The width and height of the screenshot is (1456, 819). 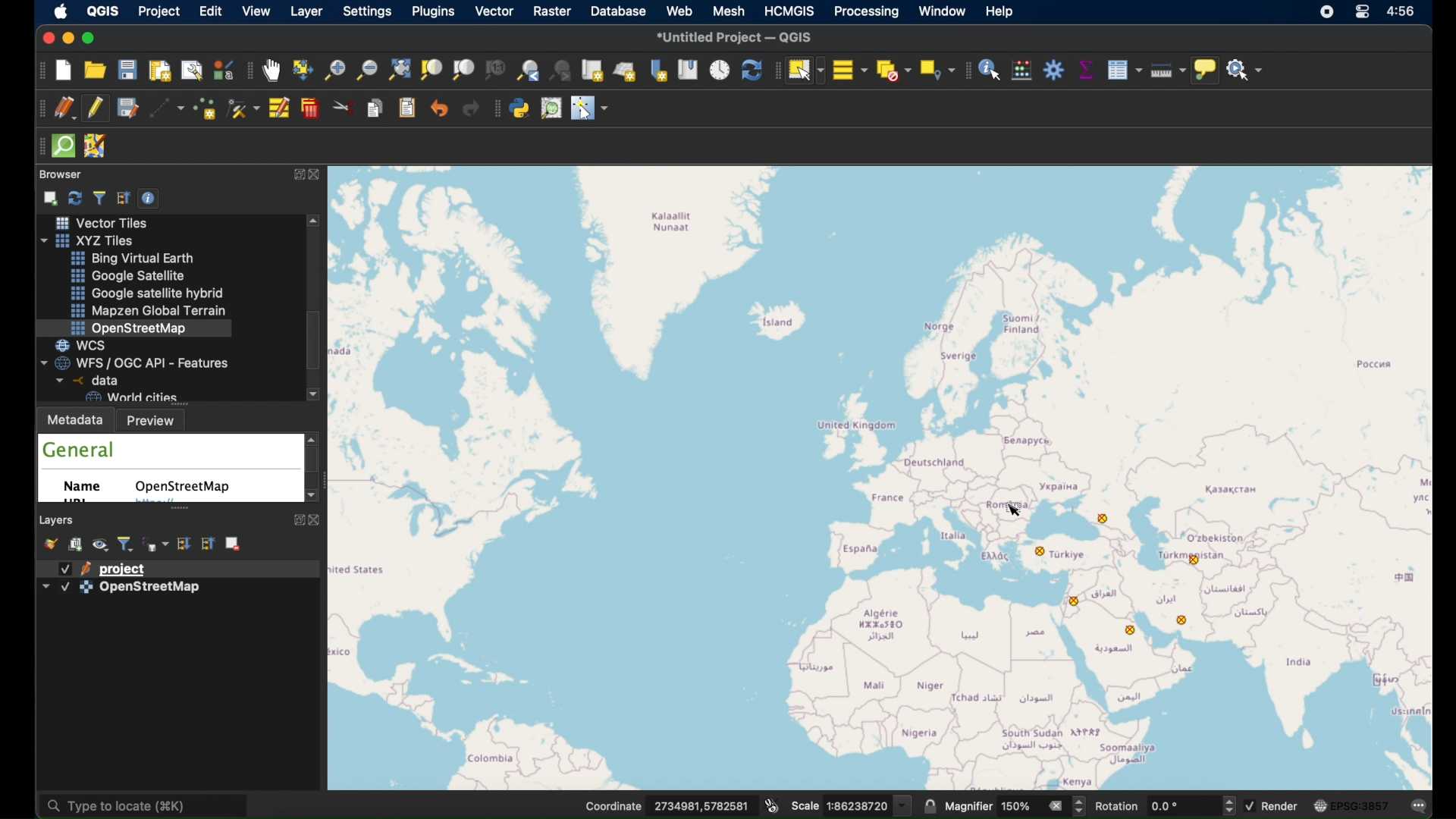 I want to click on python console, so click(x=521, y=108).